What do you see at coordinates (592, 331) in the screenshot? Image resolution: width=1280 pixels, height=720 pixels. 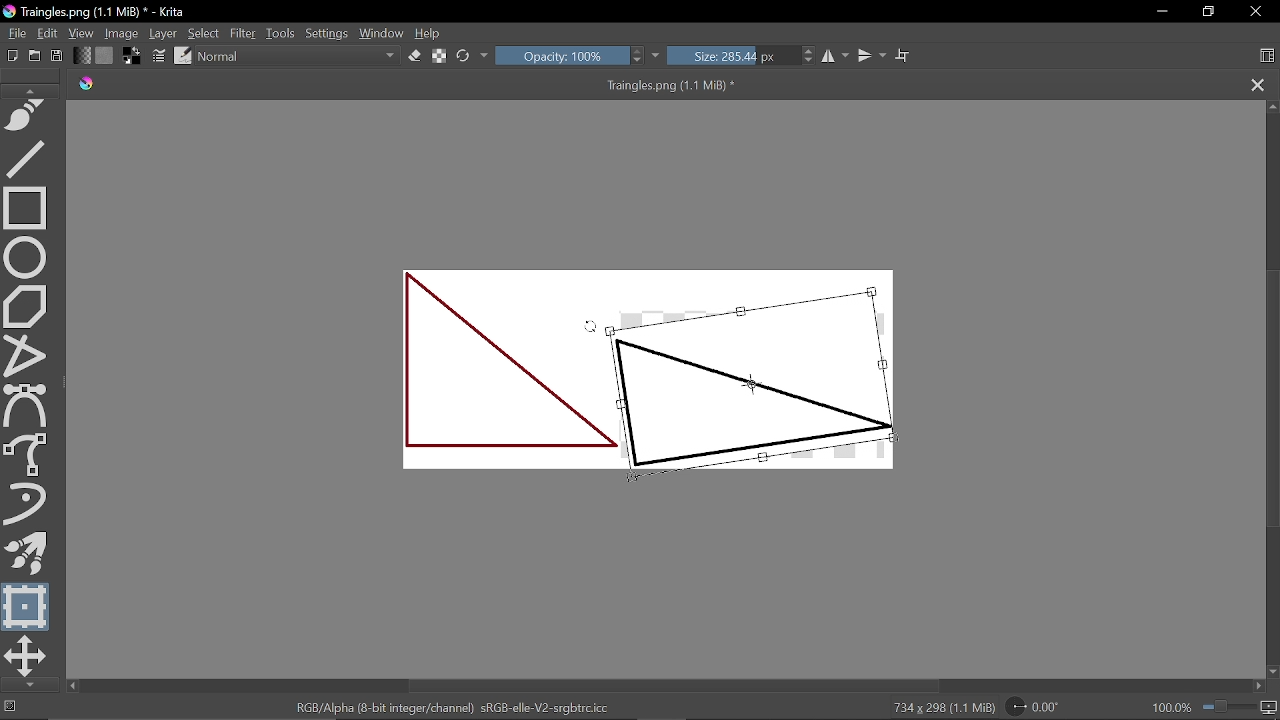 I see `Cursor` at bounding box center [592, 331].